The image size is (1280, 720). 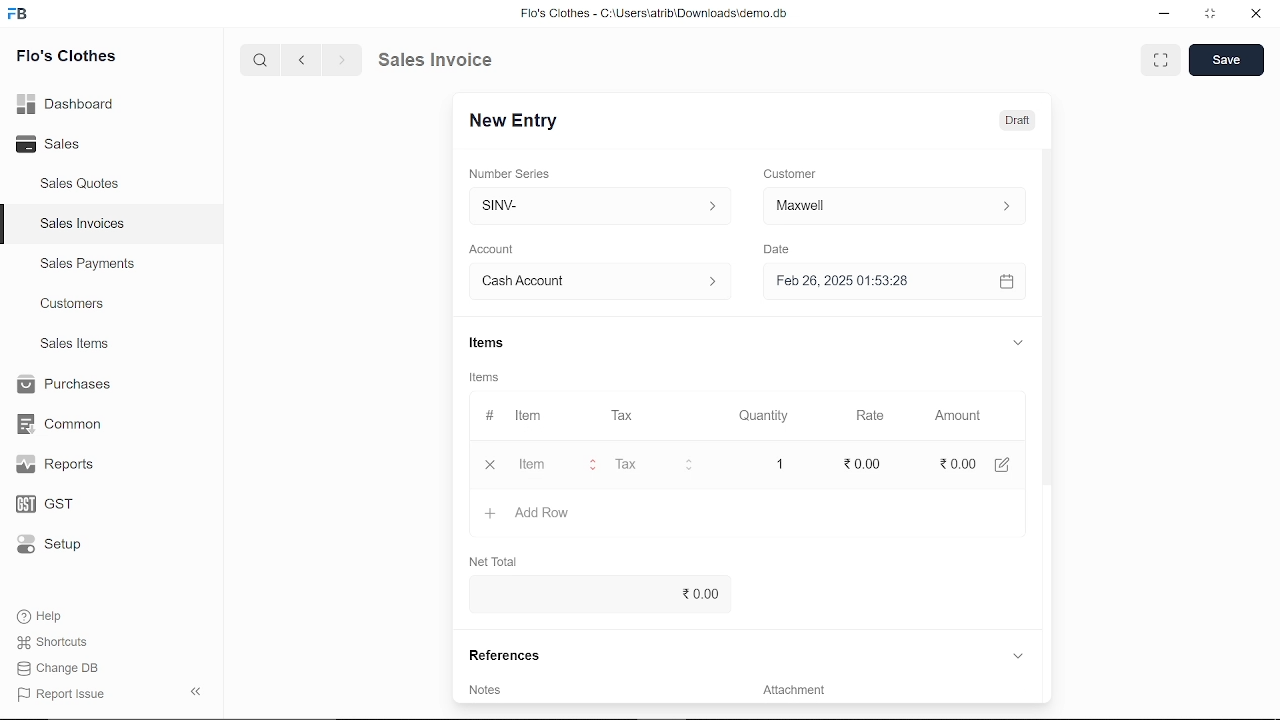 What do you see at coordinates (18, 16) in the screenshot?
I see `frappe books` at bounding box center [18, 16].